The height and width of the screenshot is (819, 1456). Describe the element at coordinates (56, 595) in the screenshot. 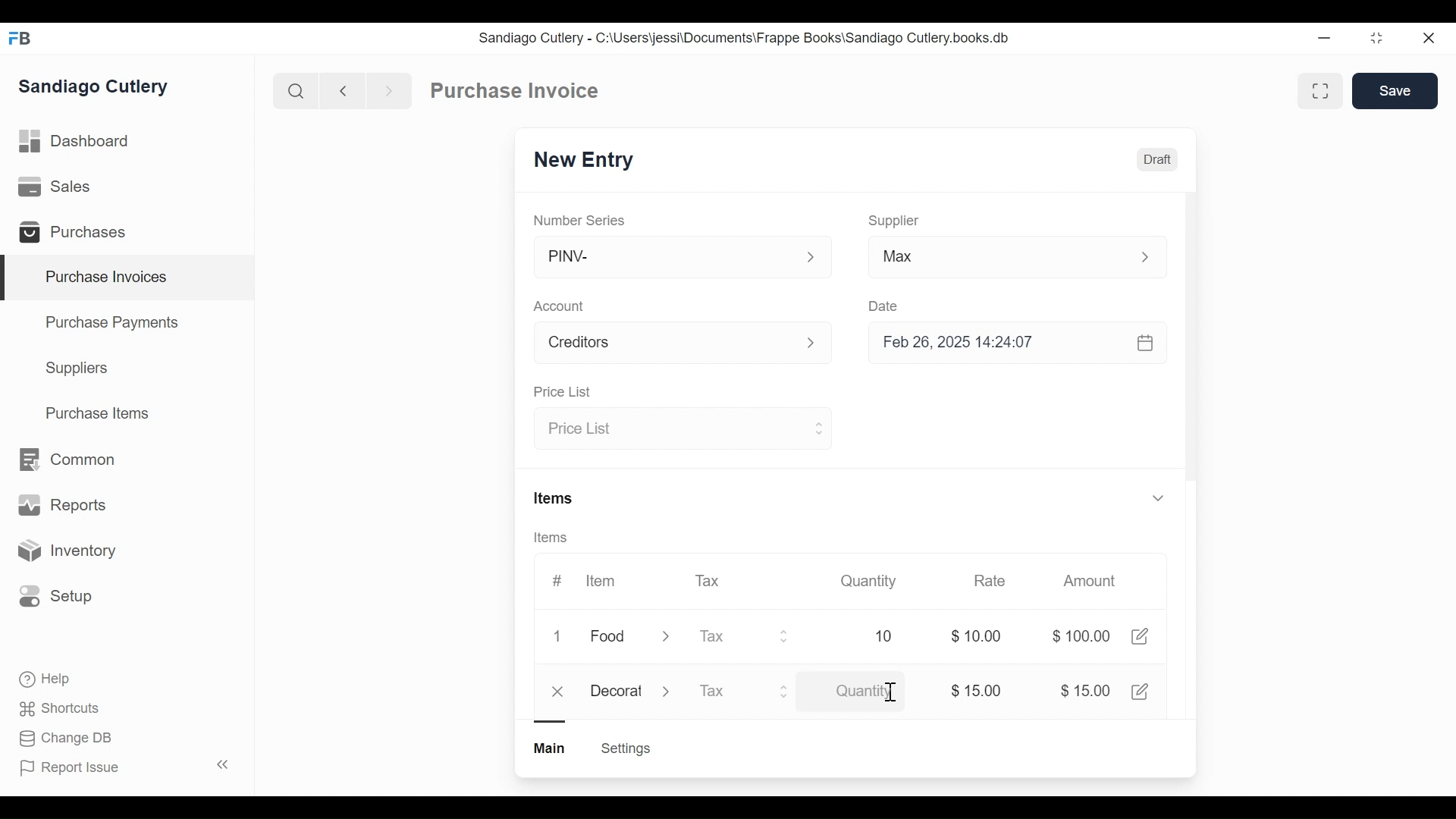

I see `Setup` at that location.